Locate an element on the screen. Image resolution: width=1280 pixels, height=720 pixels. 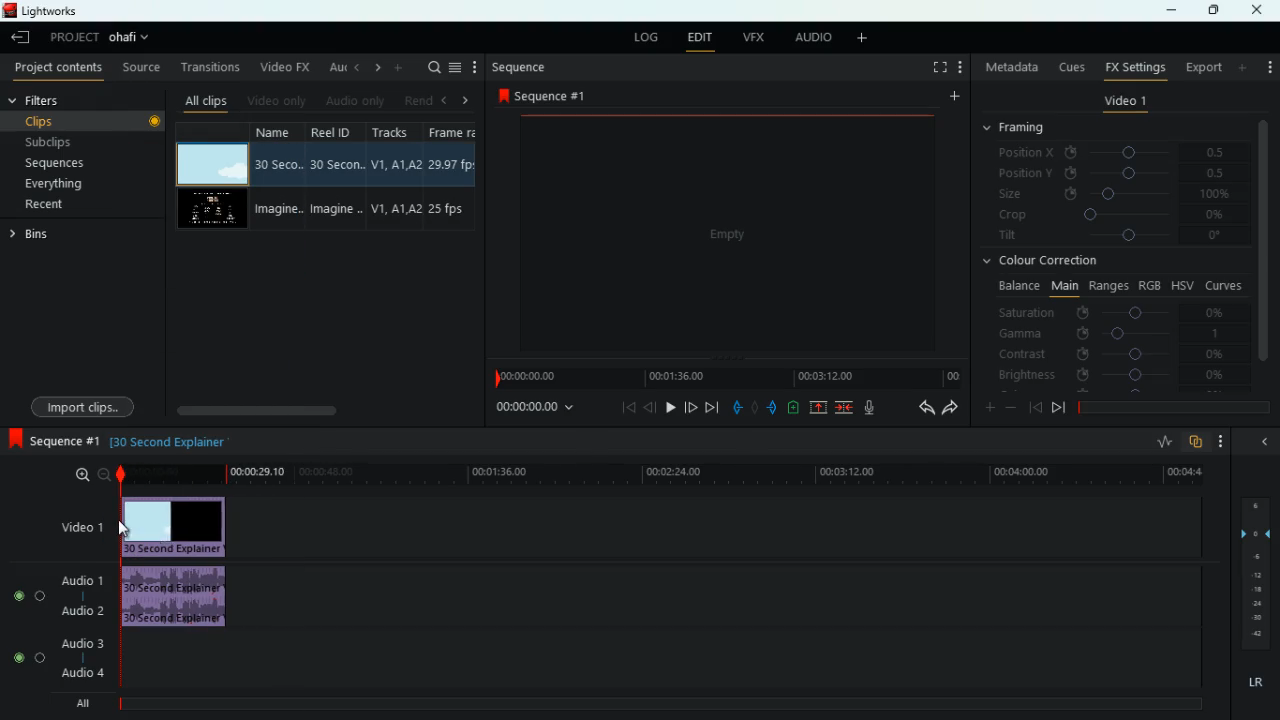
ranges is located at coordinates (1106, 286).